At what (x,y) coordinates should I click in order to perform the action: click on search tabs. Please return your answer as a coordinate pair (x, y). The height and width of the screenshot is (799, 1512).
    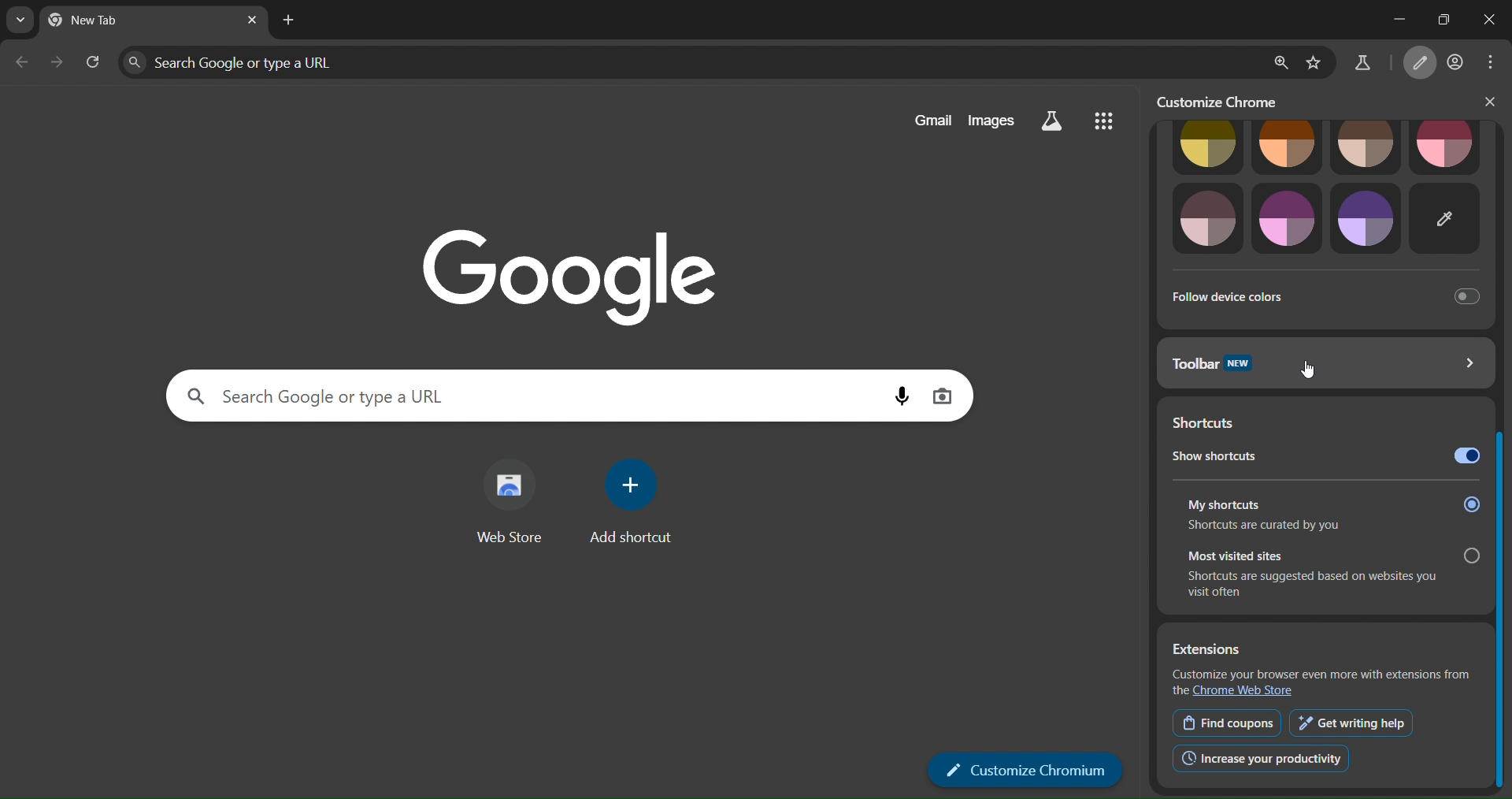
    Looking at the image, I should click on (22, 21).